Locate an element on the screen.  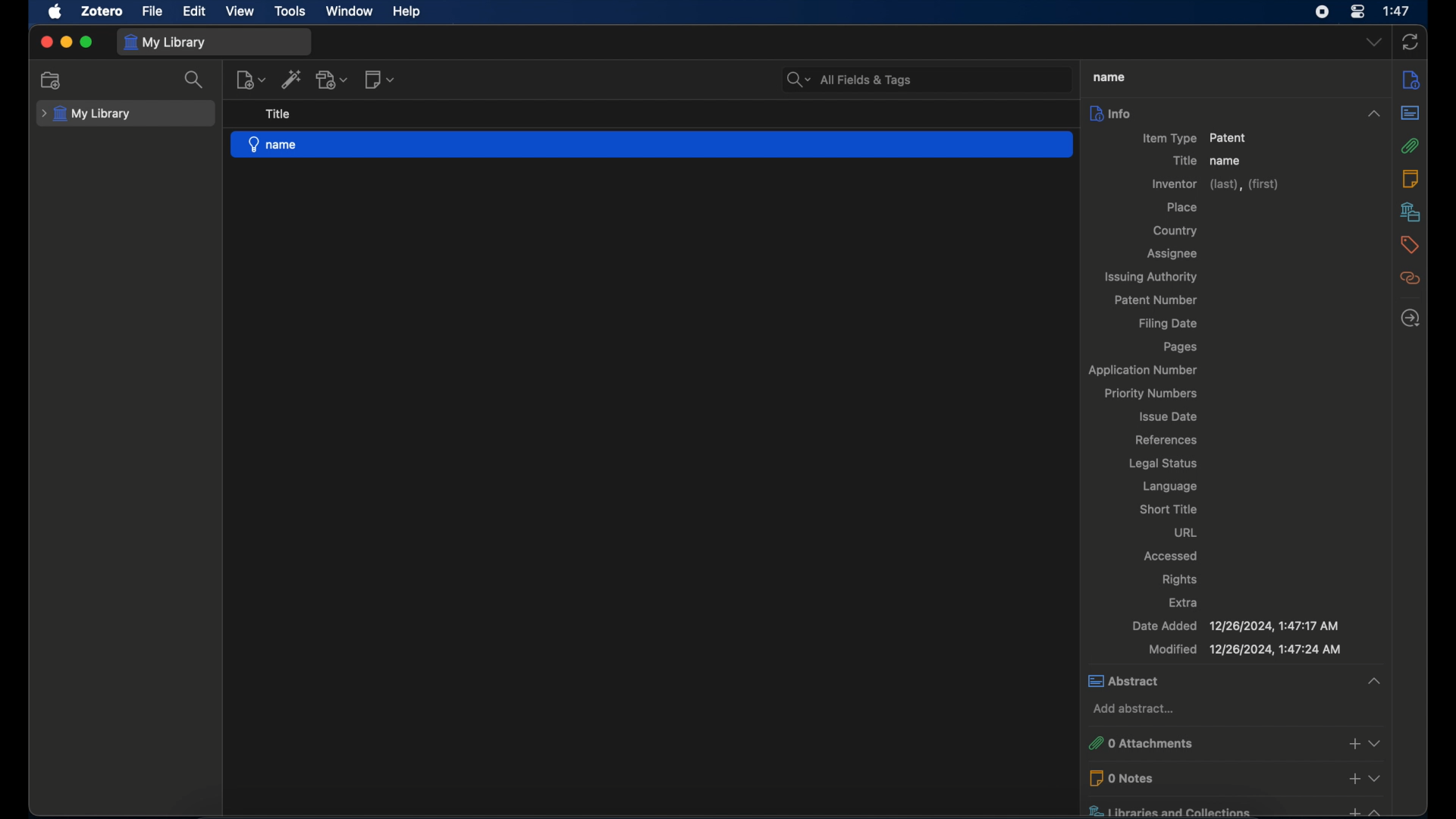
filing date is located at coordinates (1169, 325).